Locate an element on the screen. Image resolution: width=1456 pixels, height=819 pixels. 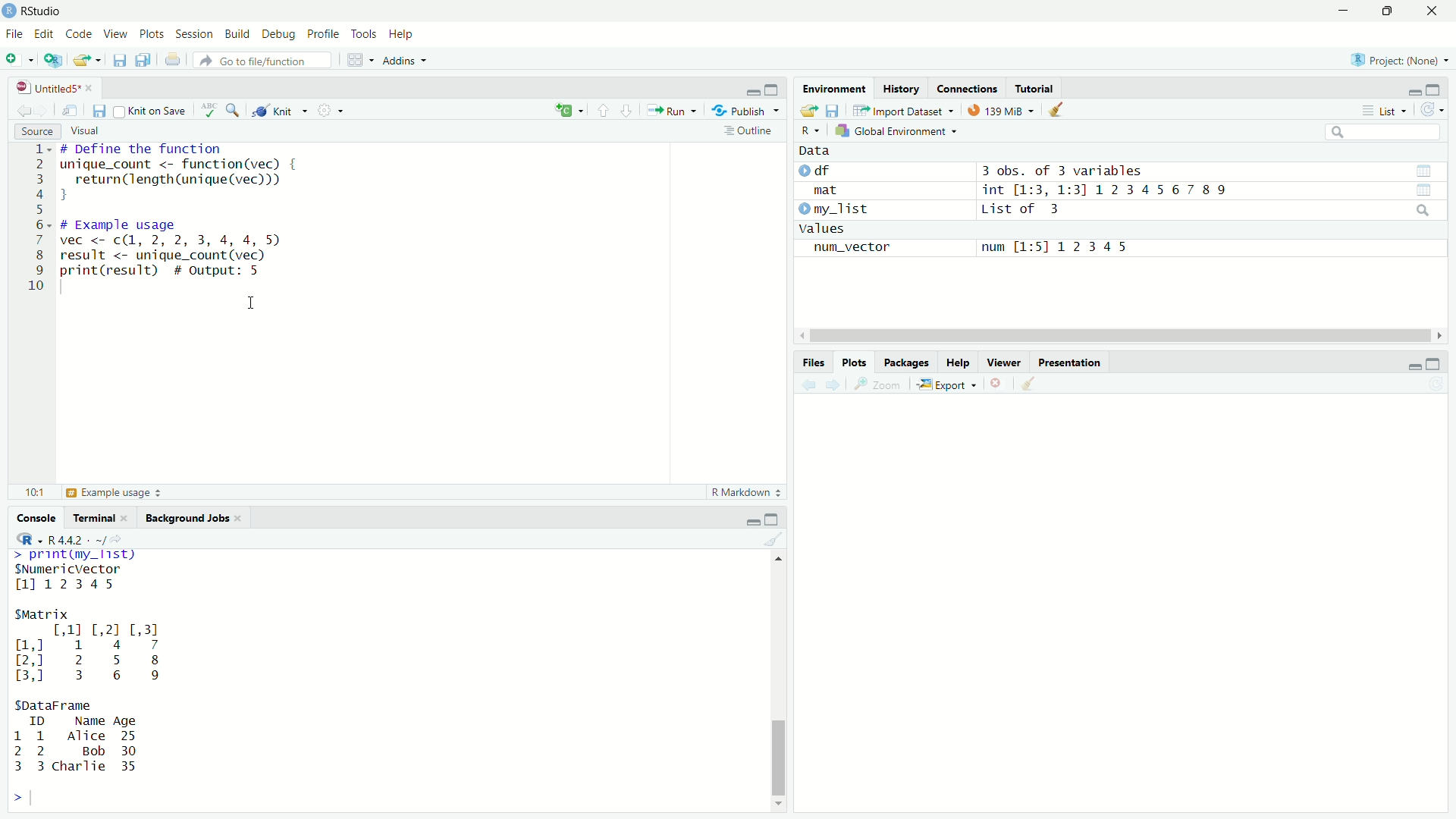
search is located at coordinates (1422, 210).